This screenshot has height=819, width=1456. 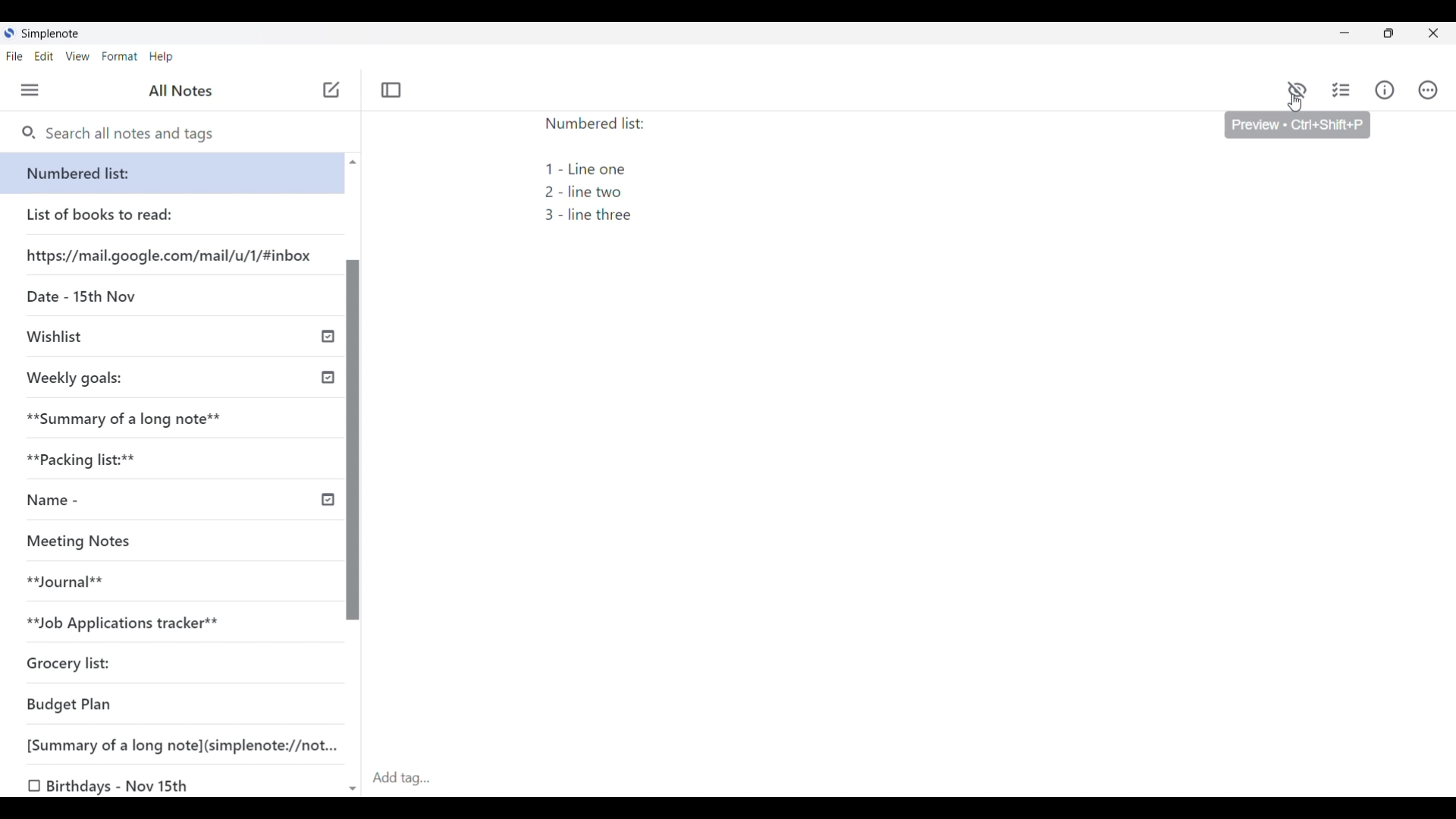 I want to click on Edit menu, so click(x=44, y=56).